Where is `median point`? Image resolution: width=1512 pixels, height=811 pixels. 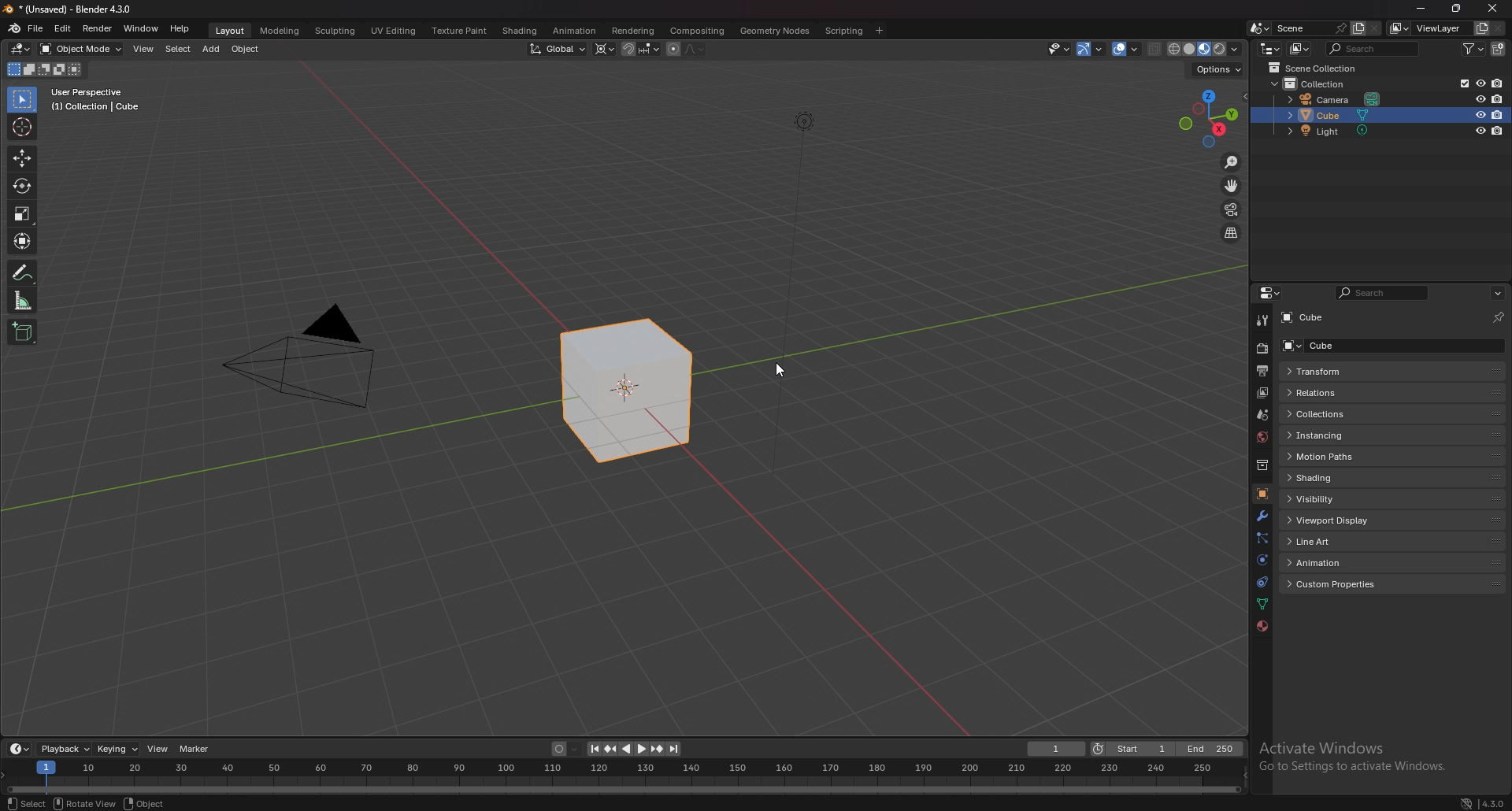 median point is located at coordinates (605, 48).